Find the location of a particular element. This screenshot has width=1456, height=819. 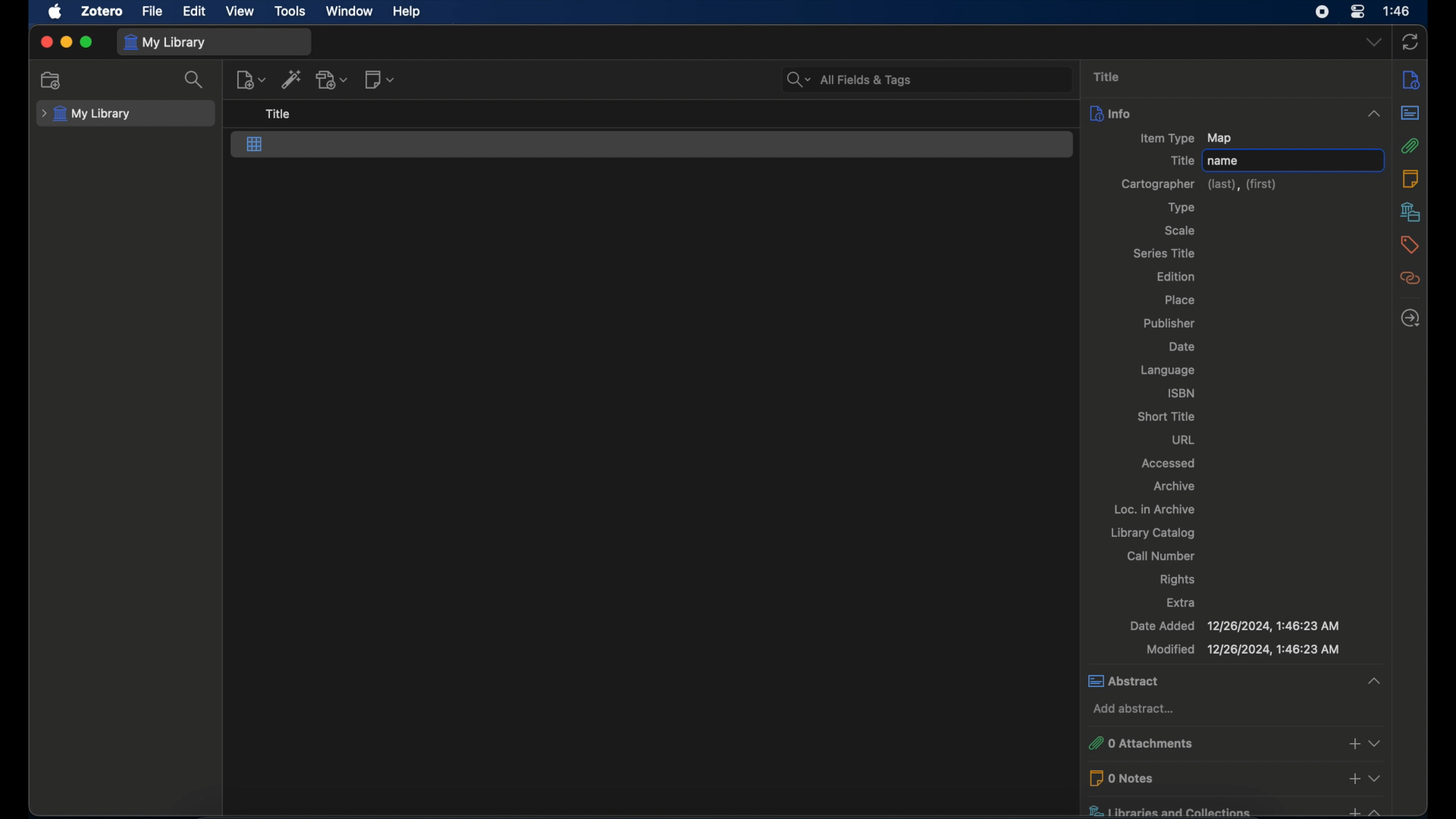

libraries is located at coordinates (1411, 212).